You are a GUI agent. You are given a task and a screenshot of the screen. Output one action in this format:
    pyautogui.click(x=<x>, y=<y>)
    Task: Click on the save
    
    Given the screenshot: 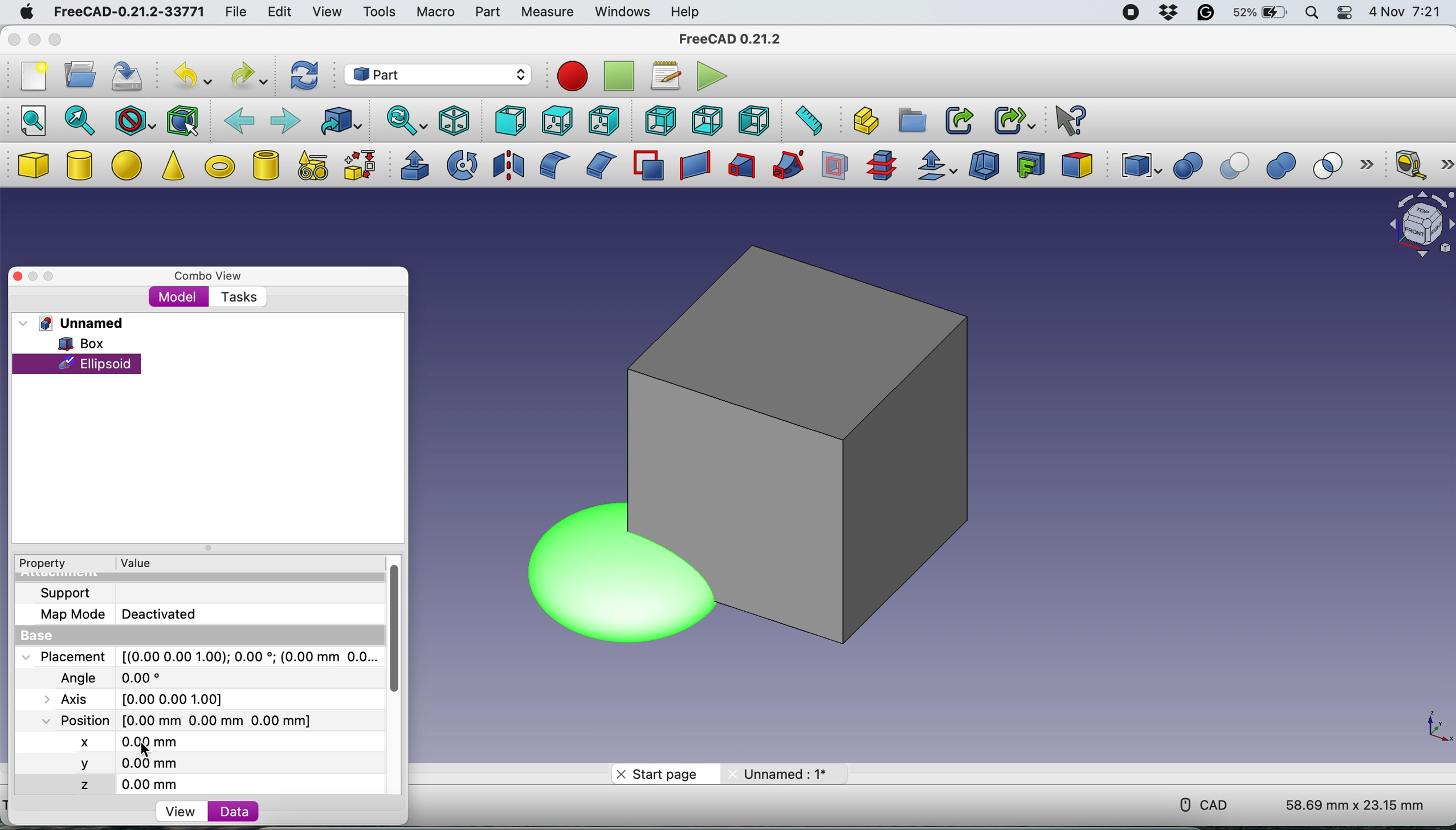 What is the action you would take?
    pyautogui.click(x=129, y=78)
    